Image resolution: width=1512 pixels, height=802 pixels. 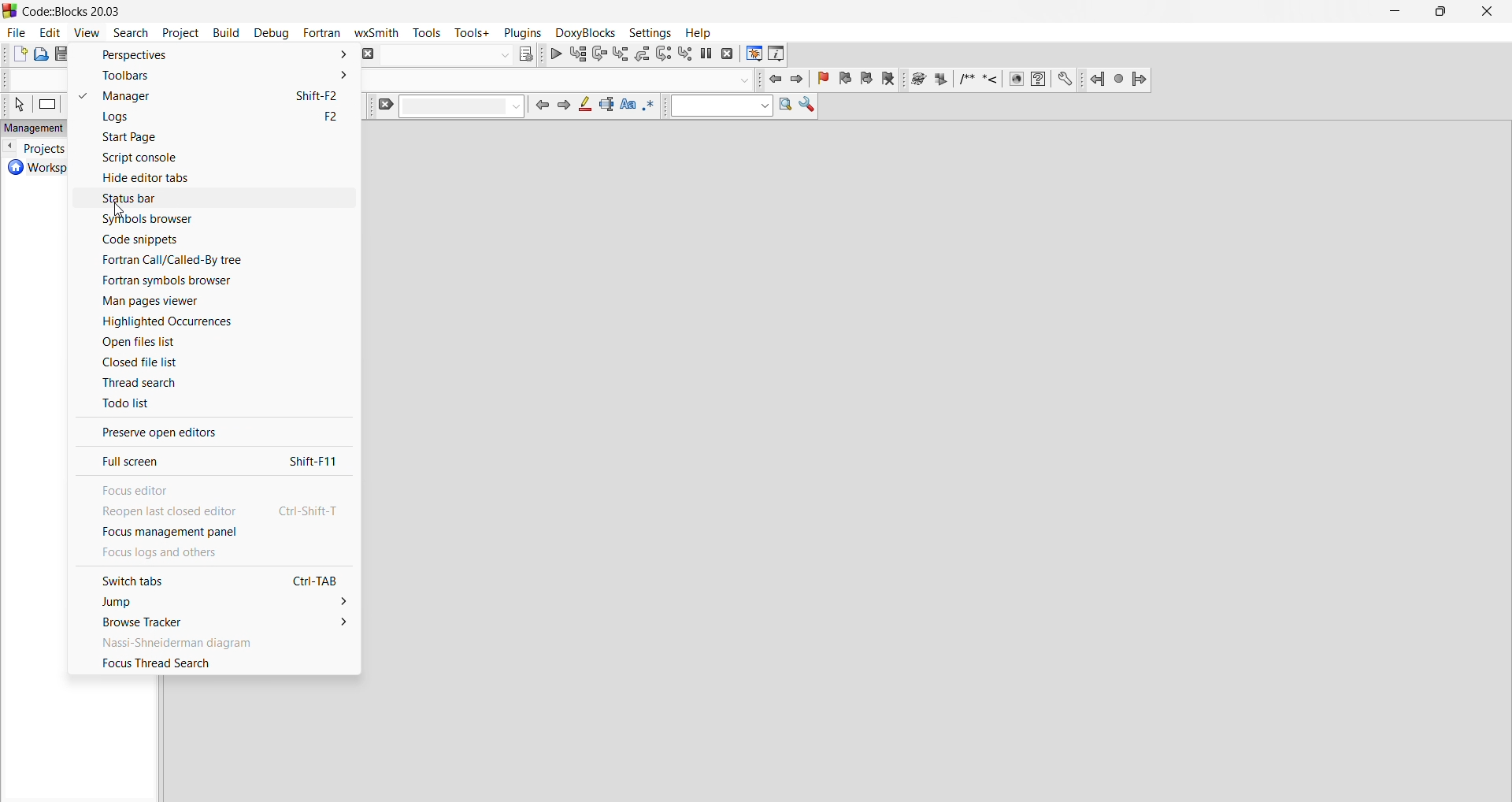 What do you see at coordinates (1015, 81) in the screenshot?
I see `HTML` at bounding box center [1015, 81].